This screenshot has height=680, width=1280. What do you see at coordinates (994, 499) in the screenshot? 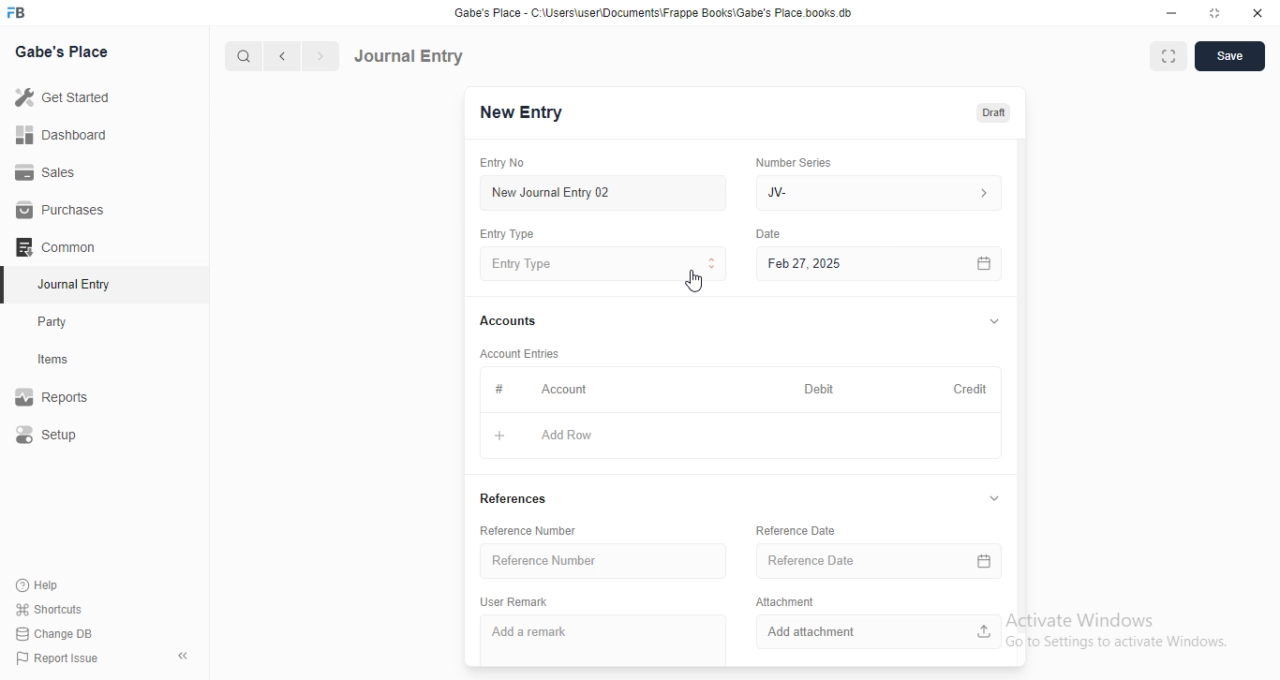
I see `Hide` at bounding box center [994, 499].